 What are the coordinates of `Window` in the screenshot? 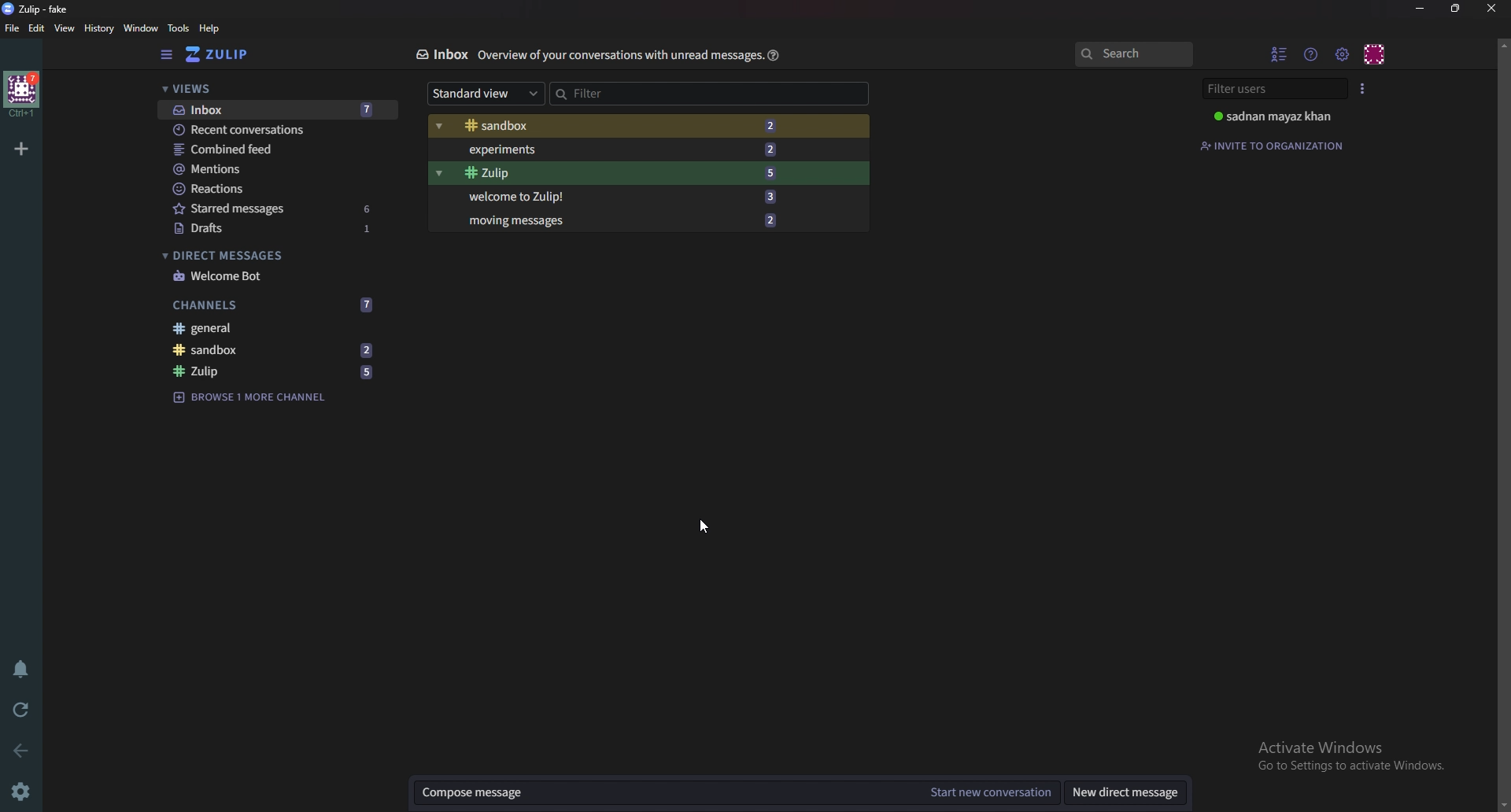 It's located at (142, 28).